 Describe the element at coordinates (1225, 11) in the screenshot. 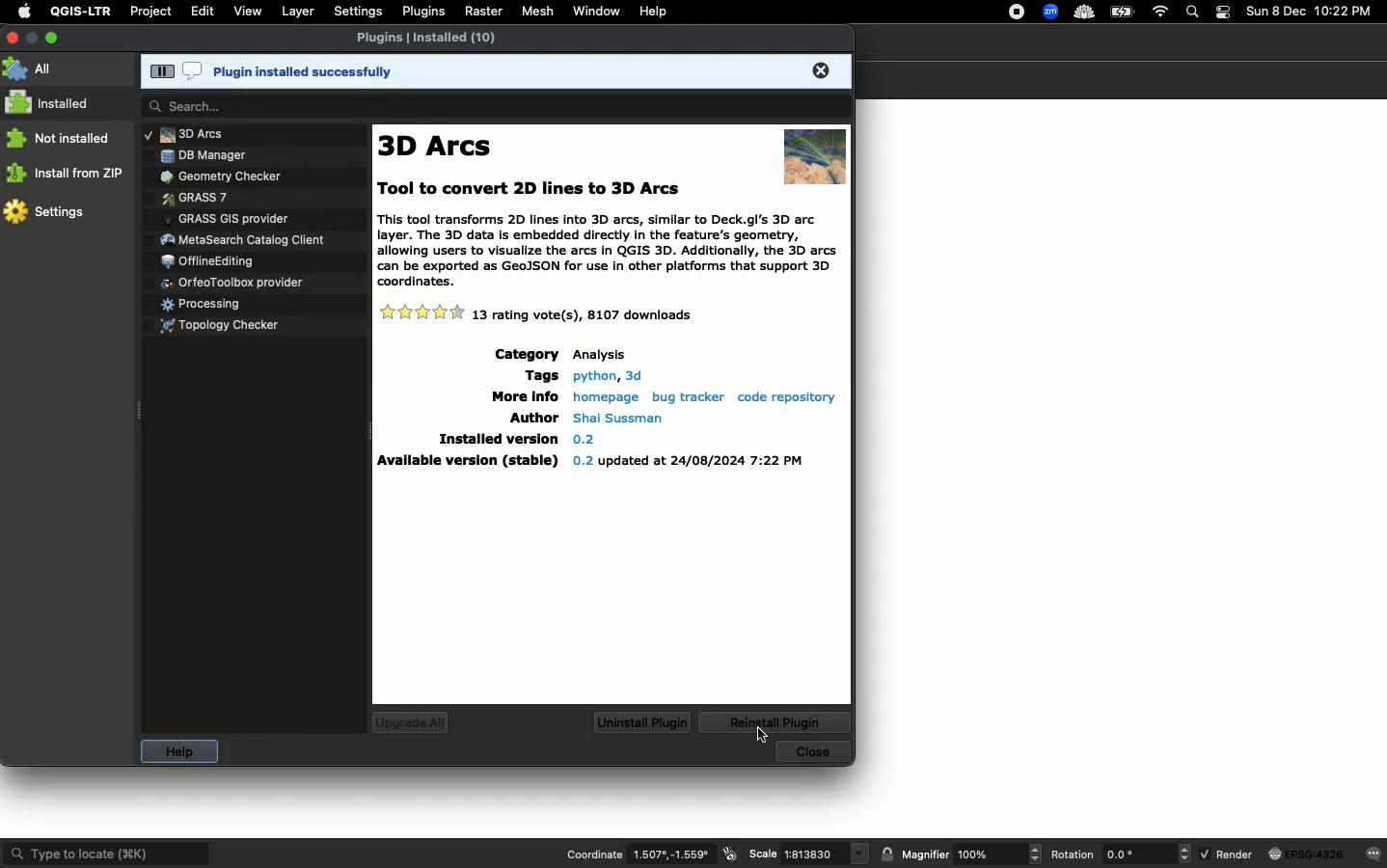

I see `Notification` at that location.